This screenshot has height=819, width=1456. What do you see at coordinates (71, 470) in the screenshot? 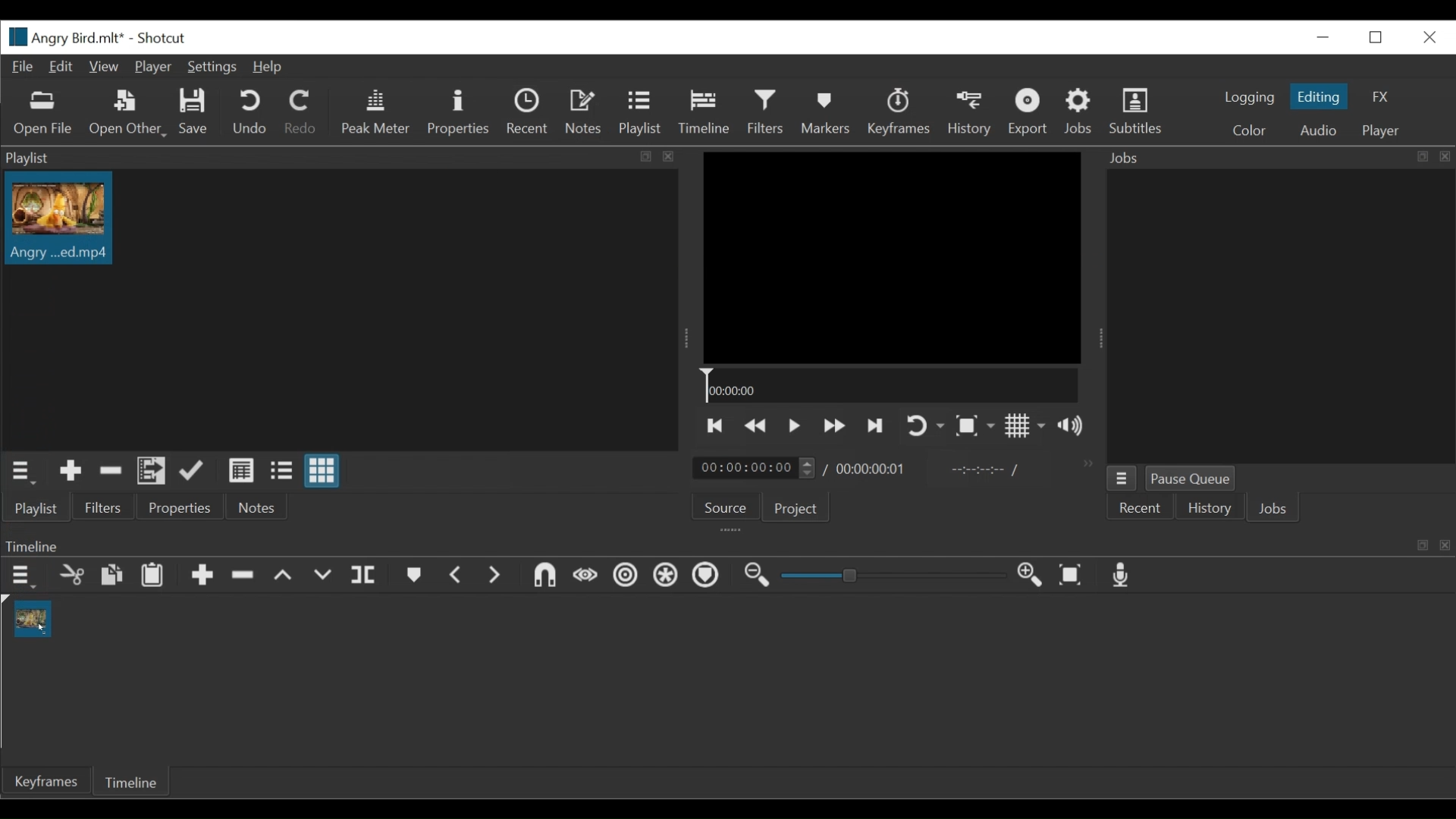
I see `Add the Source to the playlist` at bounding box center [71, 470].